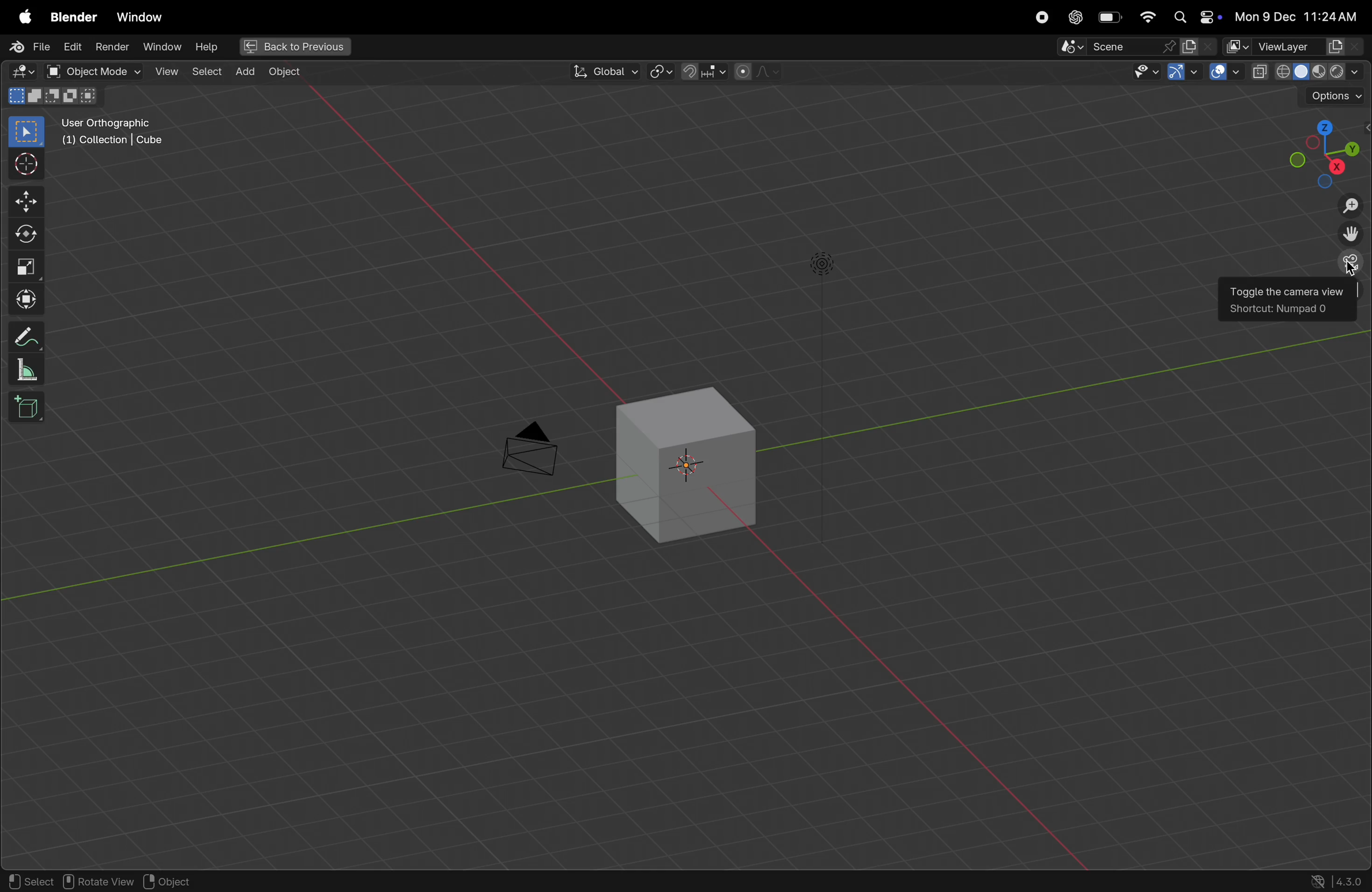 The height and width of the screenshot is (892, 1372). What do you see at coordinates (22, 235) in the screenshot?
I see `rotate` at bounding box center [22, 235].